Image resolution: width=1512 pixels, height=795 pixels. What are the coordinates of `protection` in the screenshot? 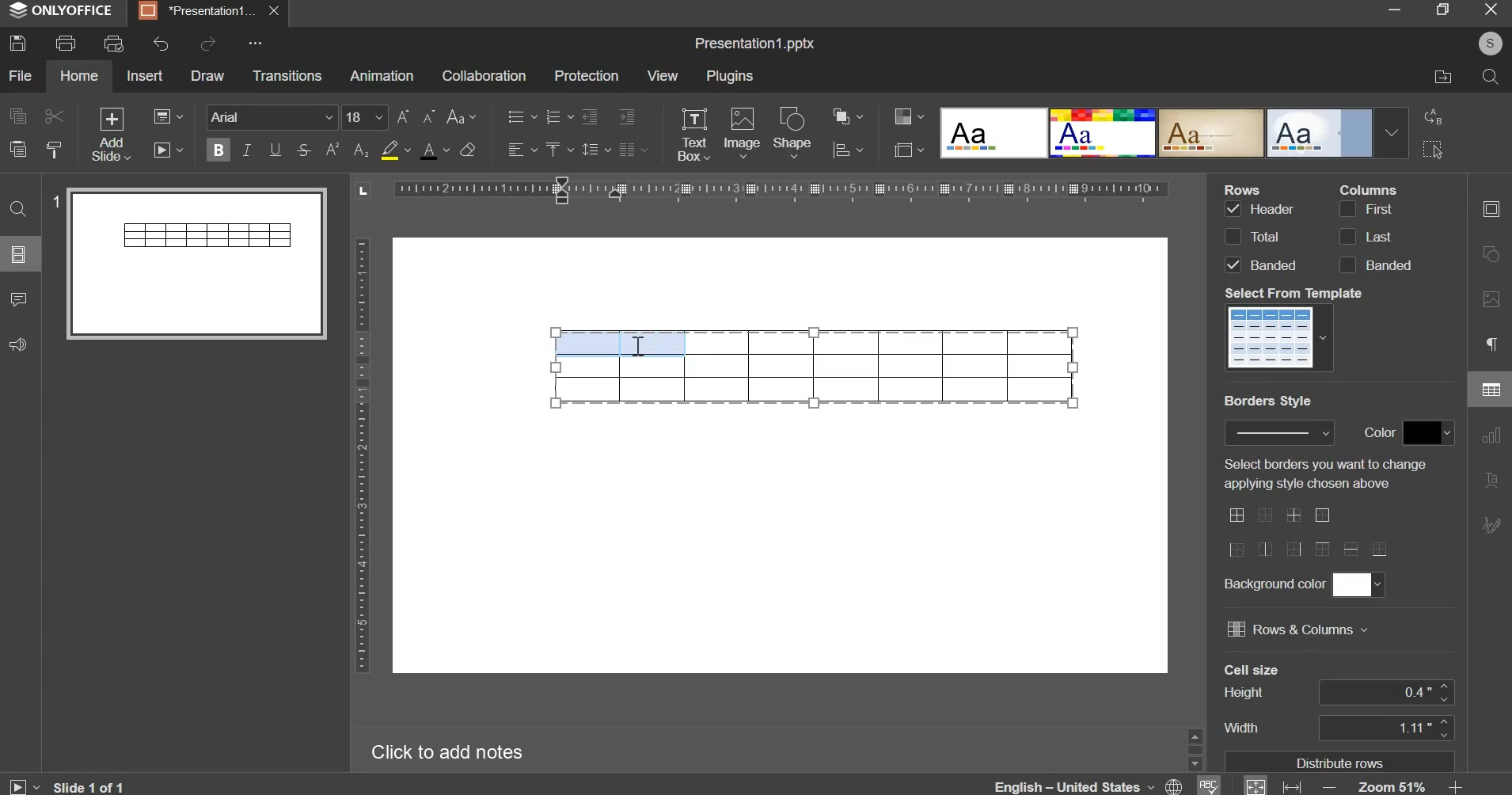 It's located at (586, 76).